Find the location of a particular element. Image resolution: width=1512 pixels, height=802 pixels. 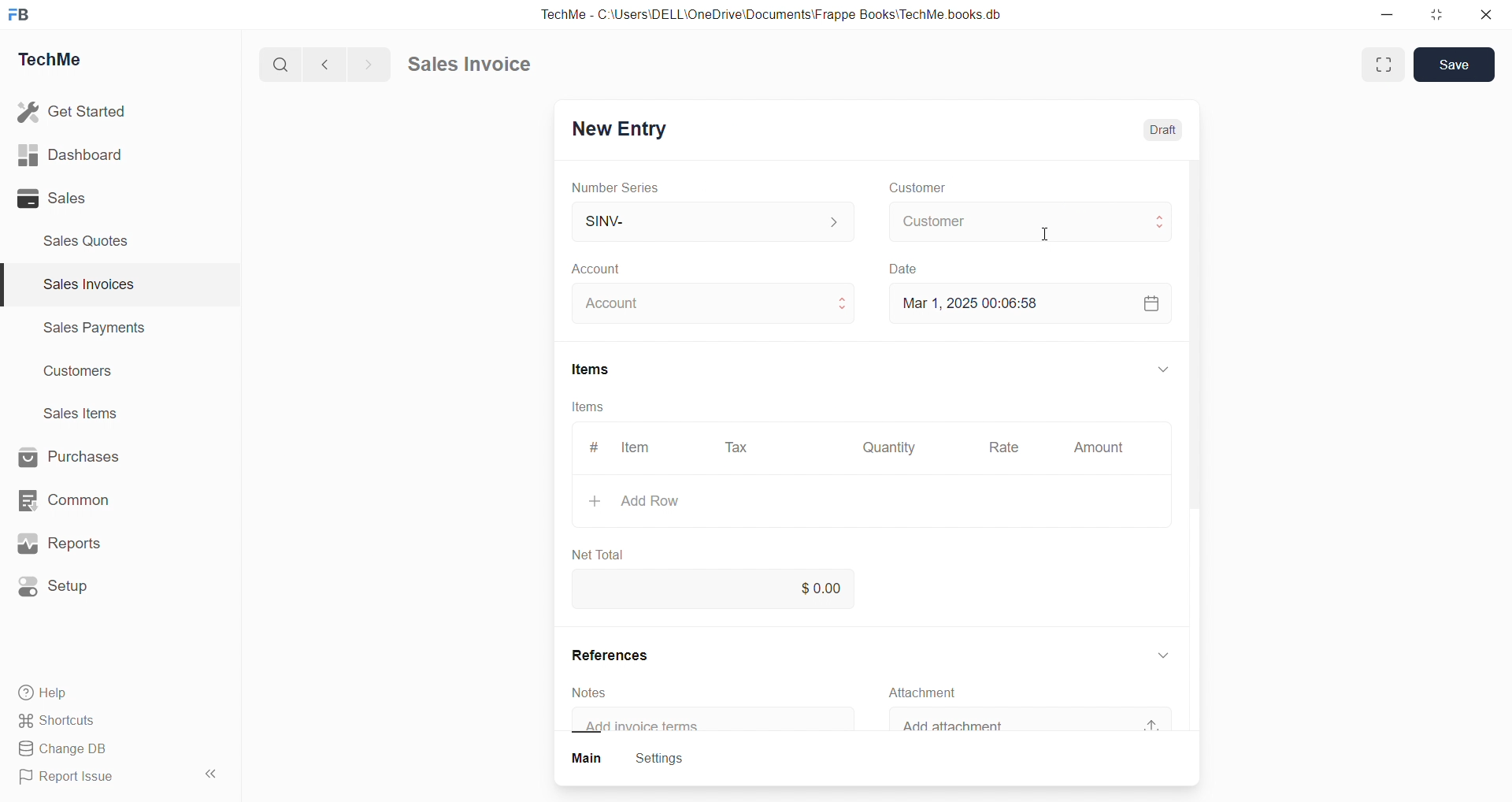

Save is located at coordinates (1458, 64).